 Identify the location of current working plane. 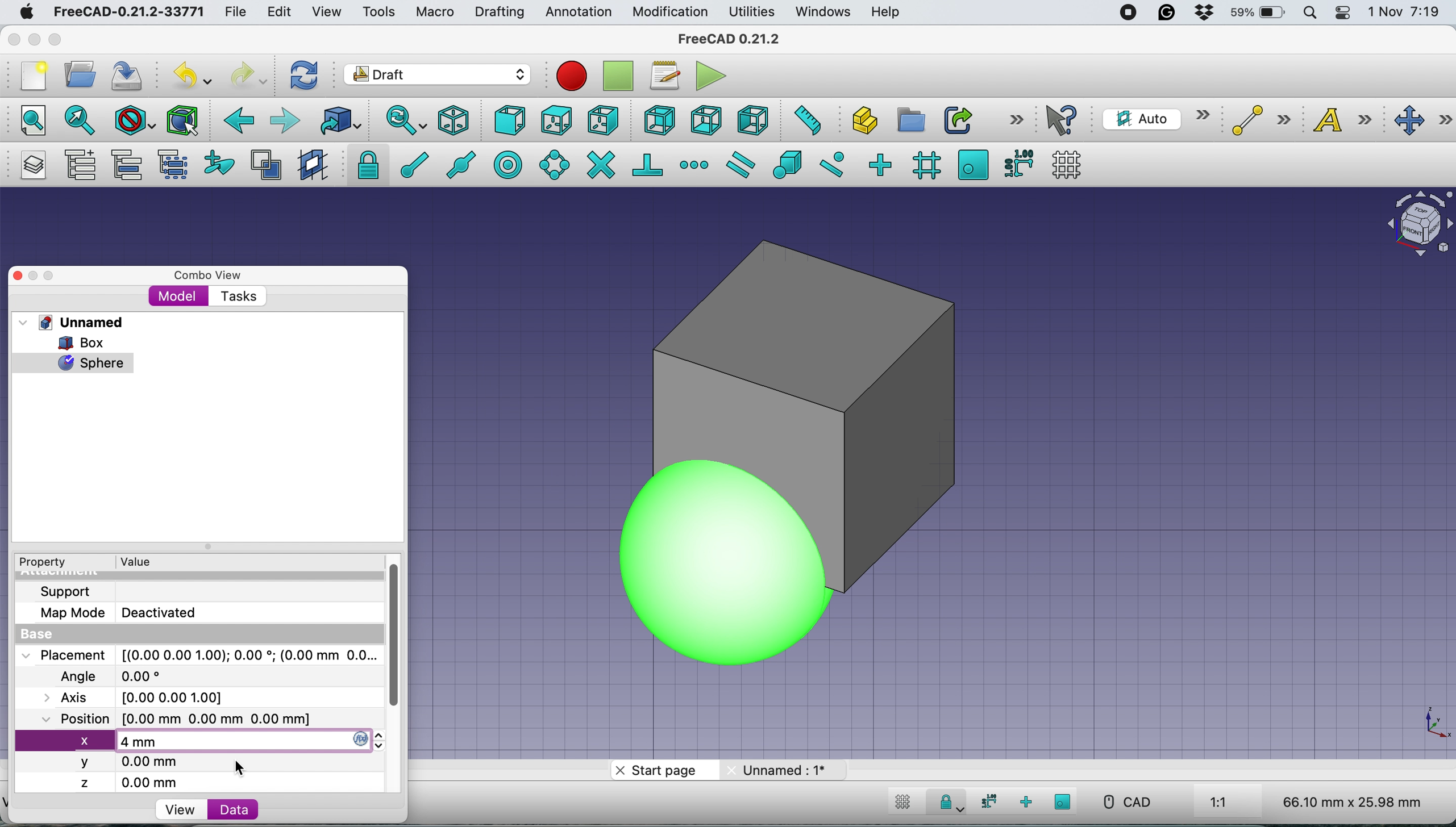
(1153, 118).